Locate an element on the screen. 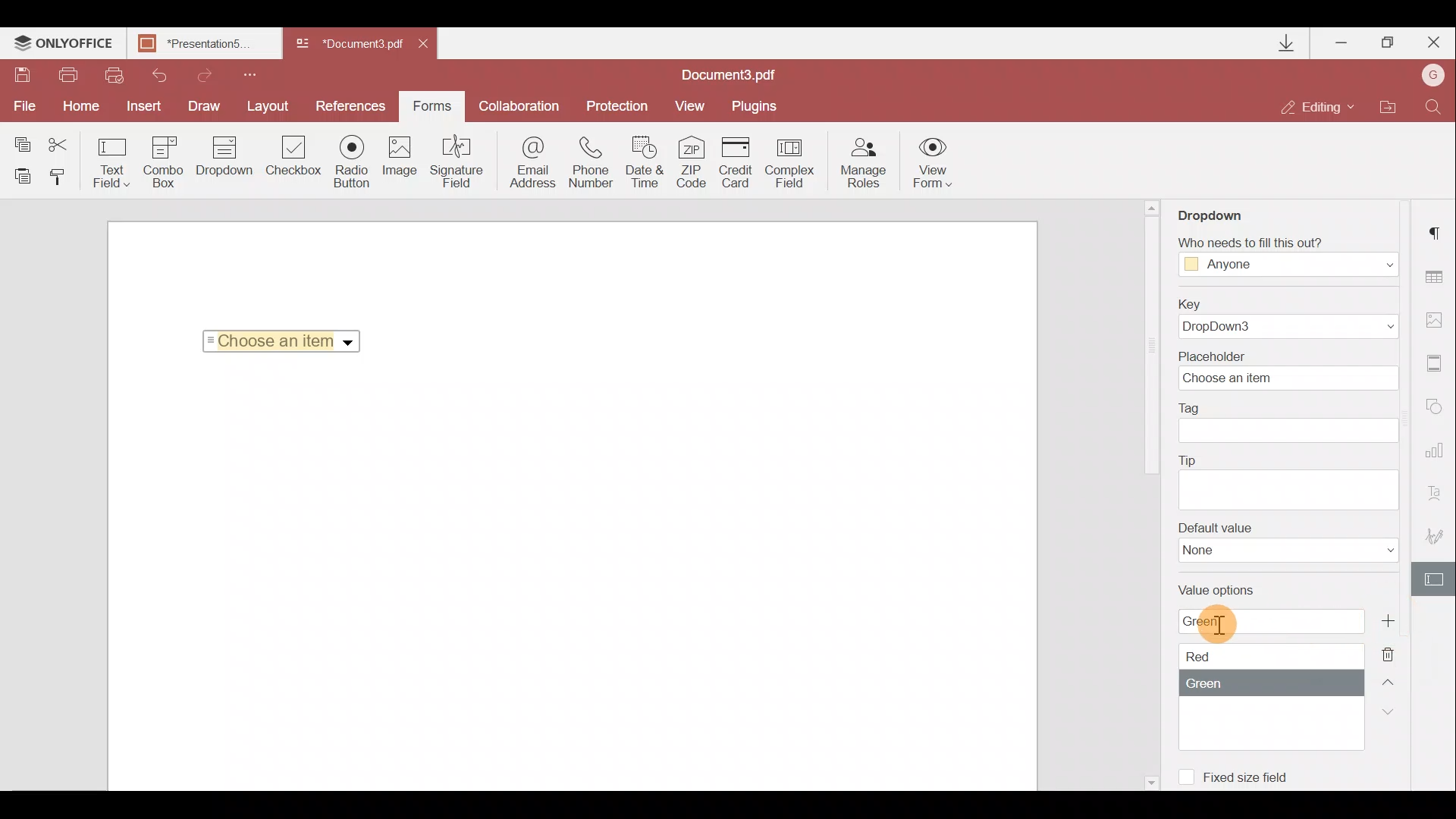 Image resolution: width=1456 pixels, height=819 pixels. Form settings is located at coordinates (1434, 578).